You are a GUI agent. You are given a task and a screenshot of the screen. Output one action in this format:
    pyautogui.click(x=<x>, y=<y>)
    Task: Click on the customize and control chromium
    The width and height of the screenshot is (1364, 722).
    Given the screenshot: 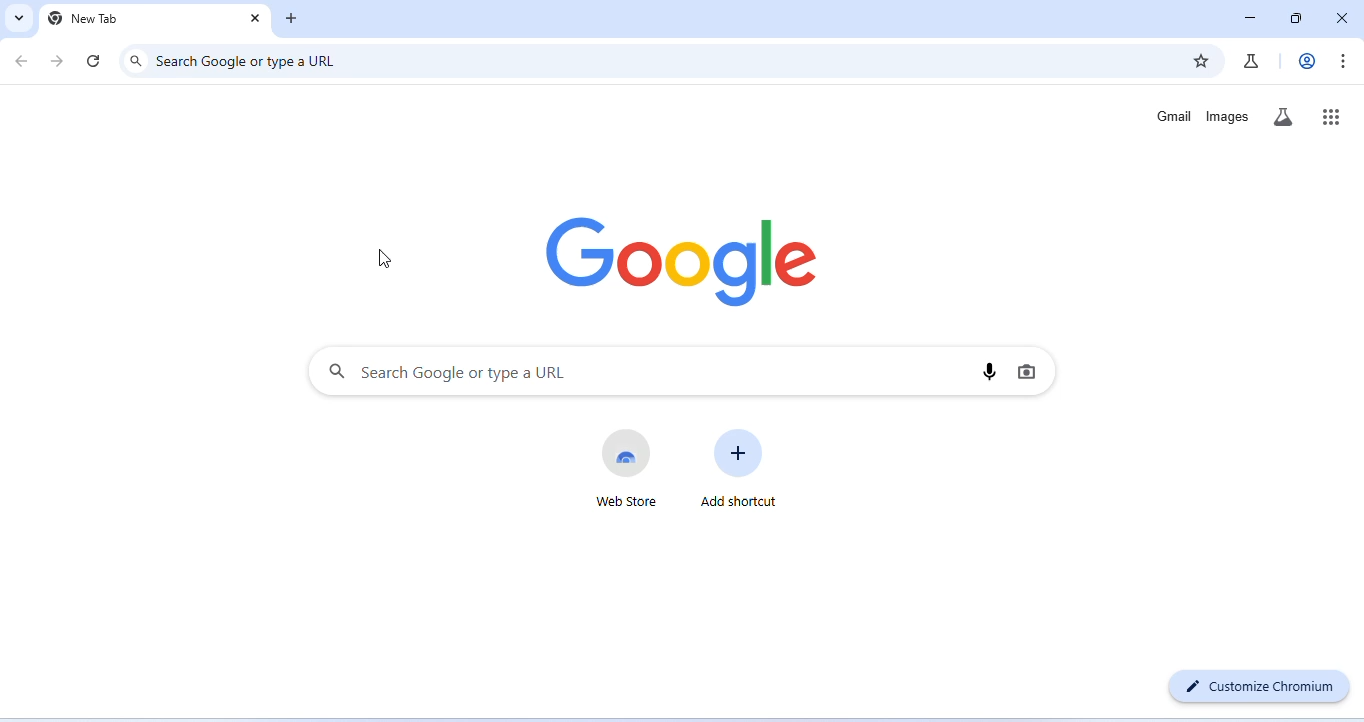 What is the action you would take?
    pyautogui.click(x=1345, y=61)
    